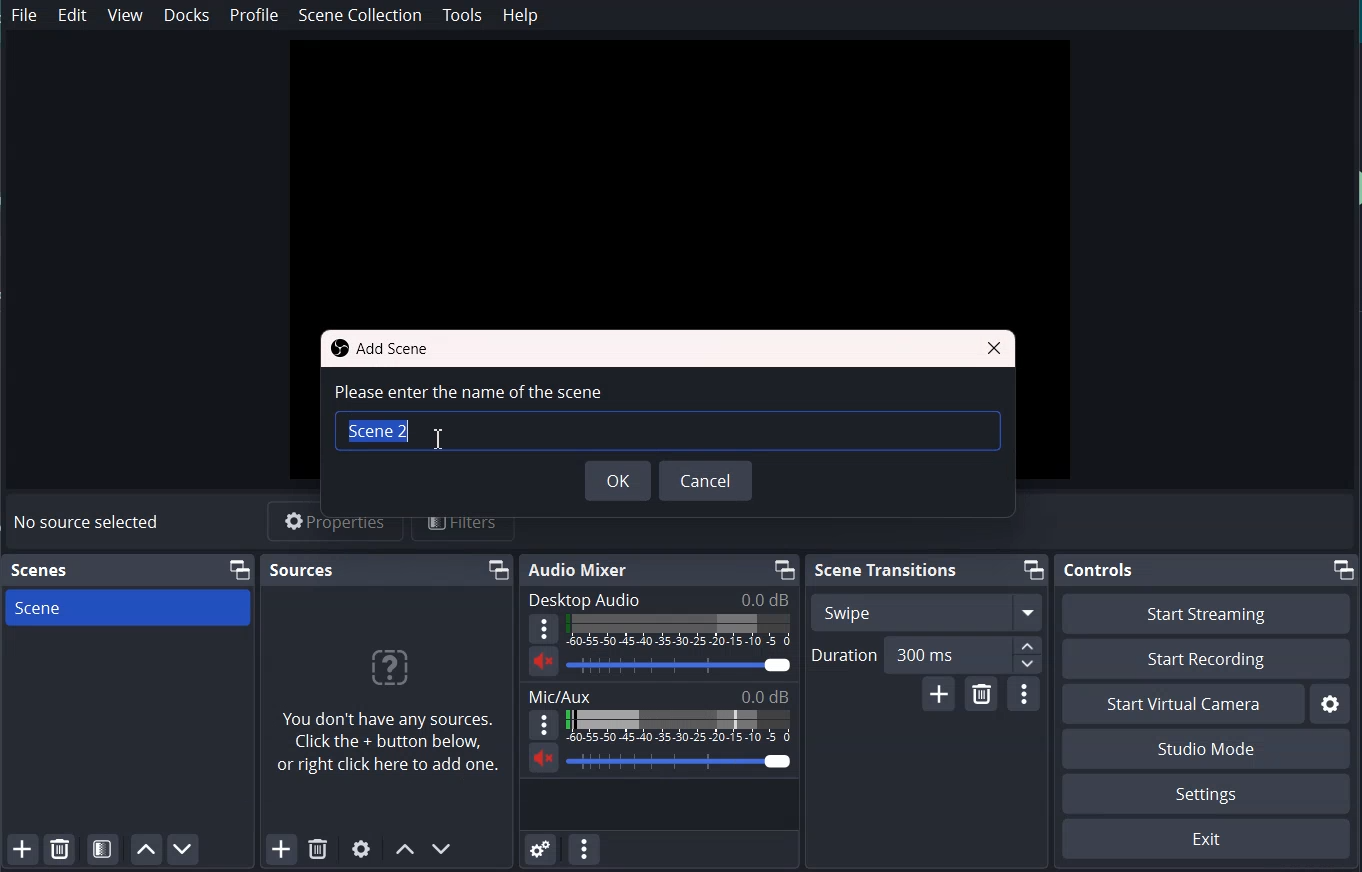  Describe the element at coordinates (680, 664) in the screenshot. I see `Volume Adjuster` at that location.